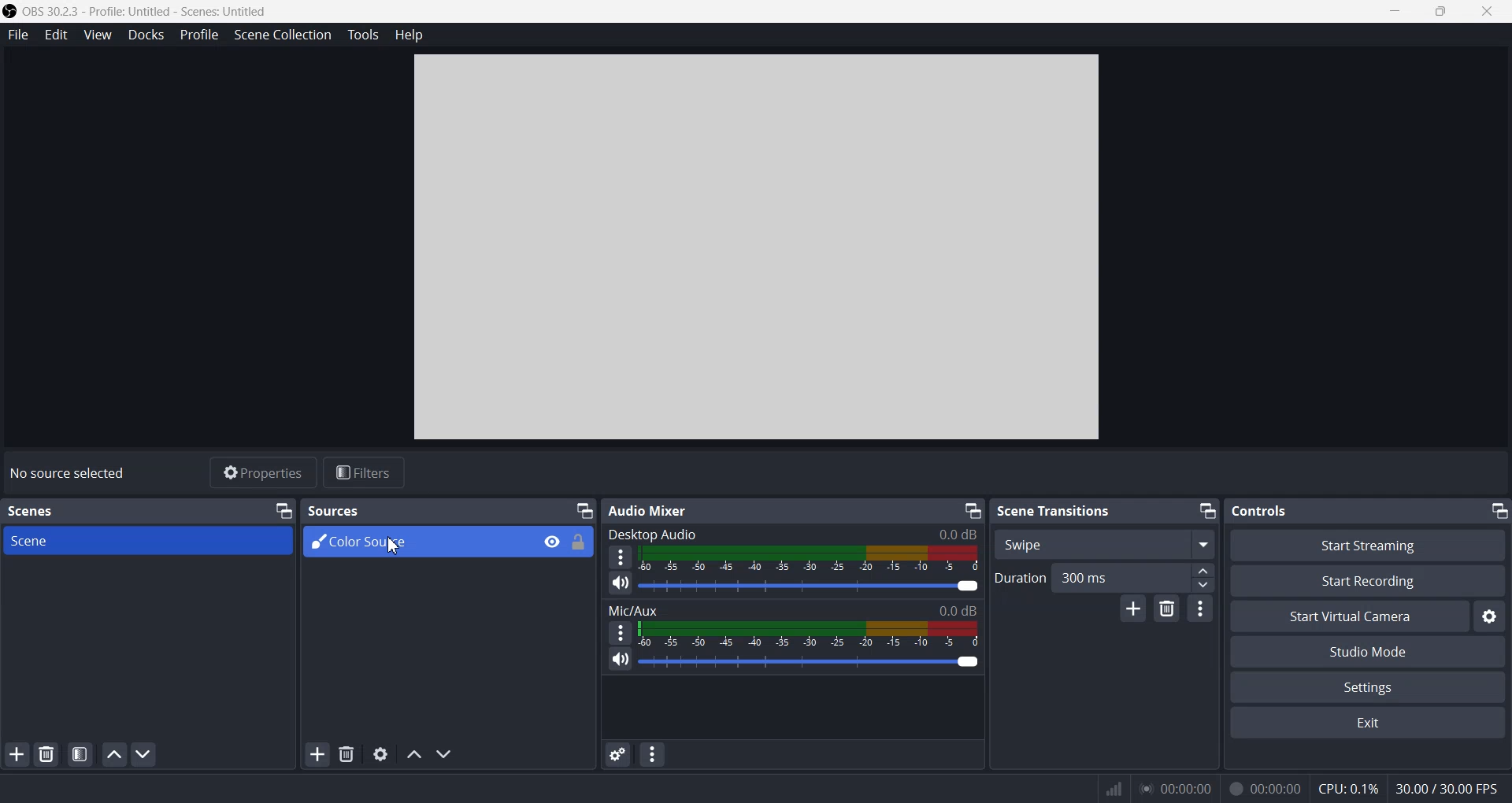 The image size is (1512, 803). Describe the element at coordinates (17, 753) in the screenshot. I see `Add Scene` at that location.